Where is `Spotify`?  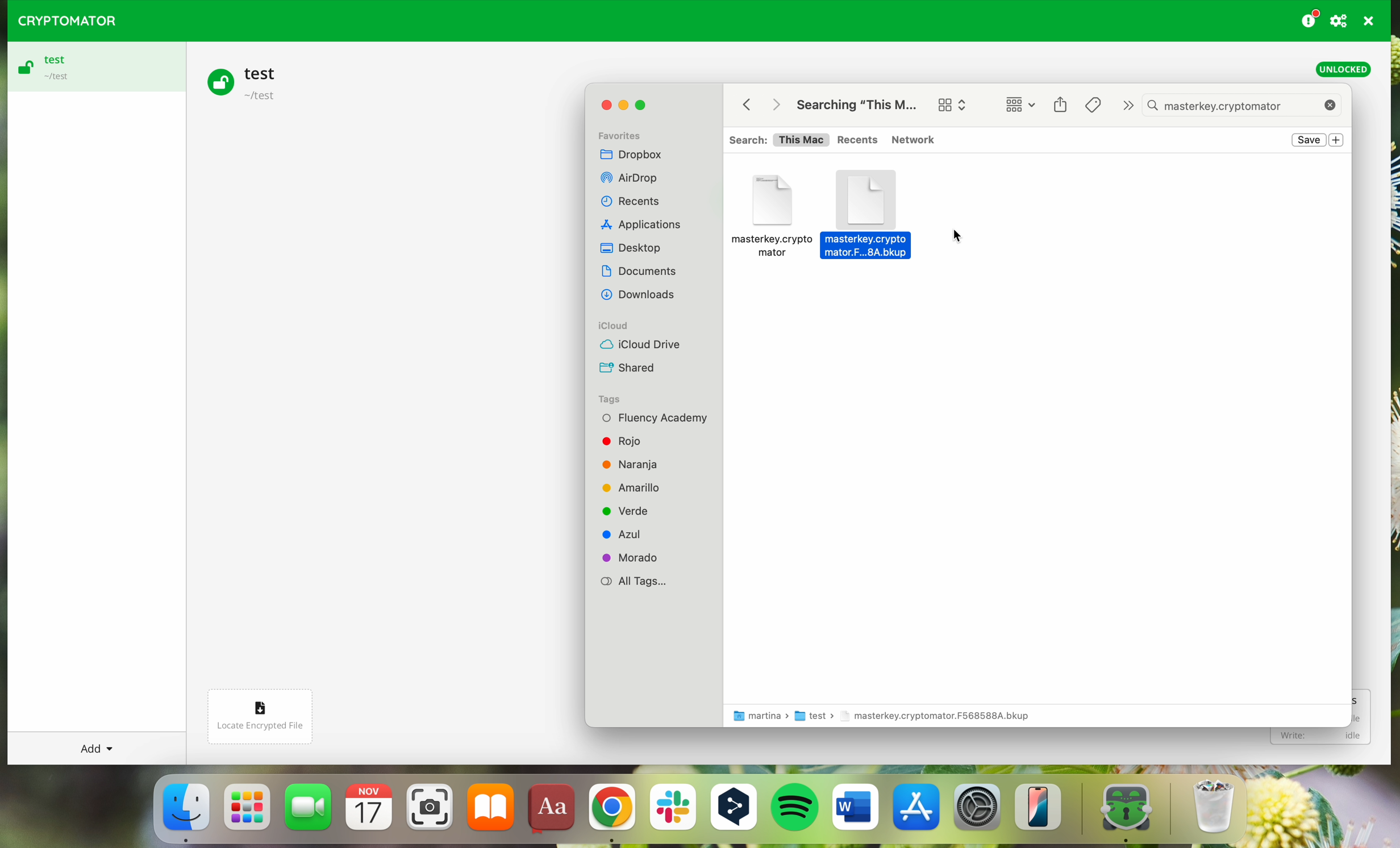 Spotify is located at coordinates (797, 809).